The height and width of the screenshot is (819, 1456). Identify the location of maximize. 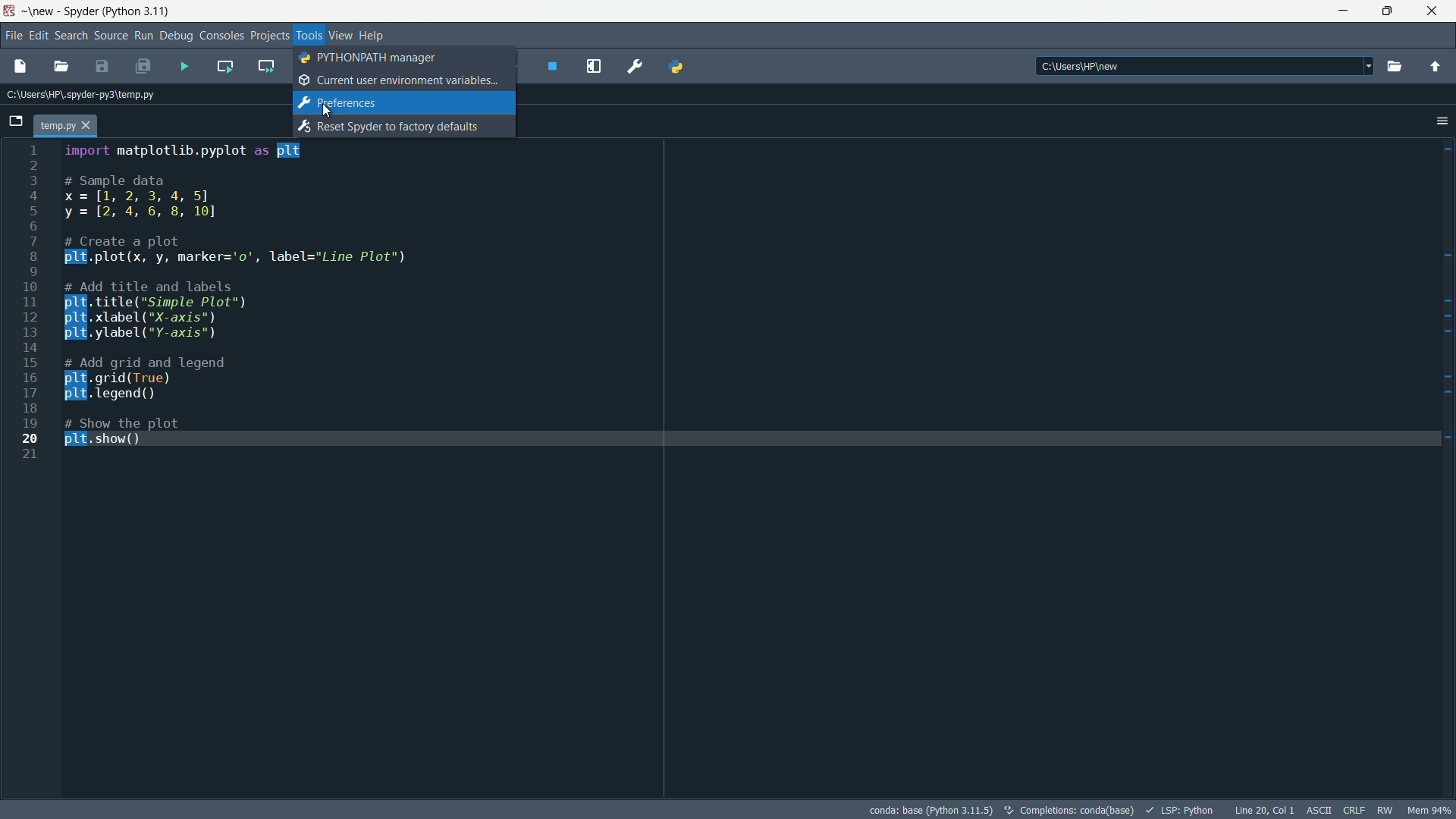
(1390, 11).